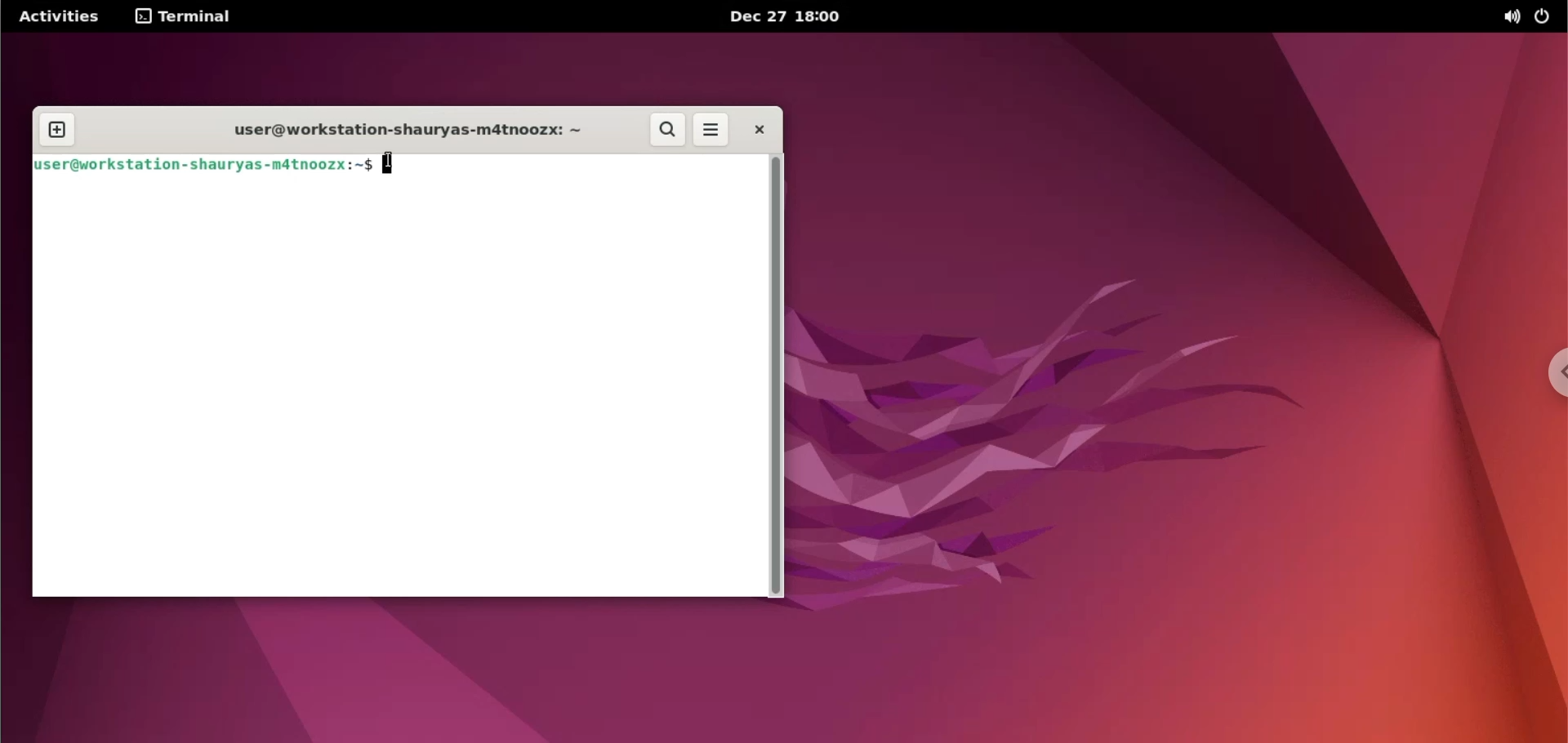 Image resolution: width=1568 pixels, height=743 pixels. Describe the element at coordinates (571, 165) in the screenshot. I see `command input` at that location.